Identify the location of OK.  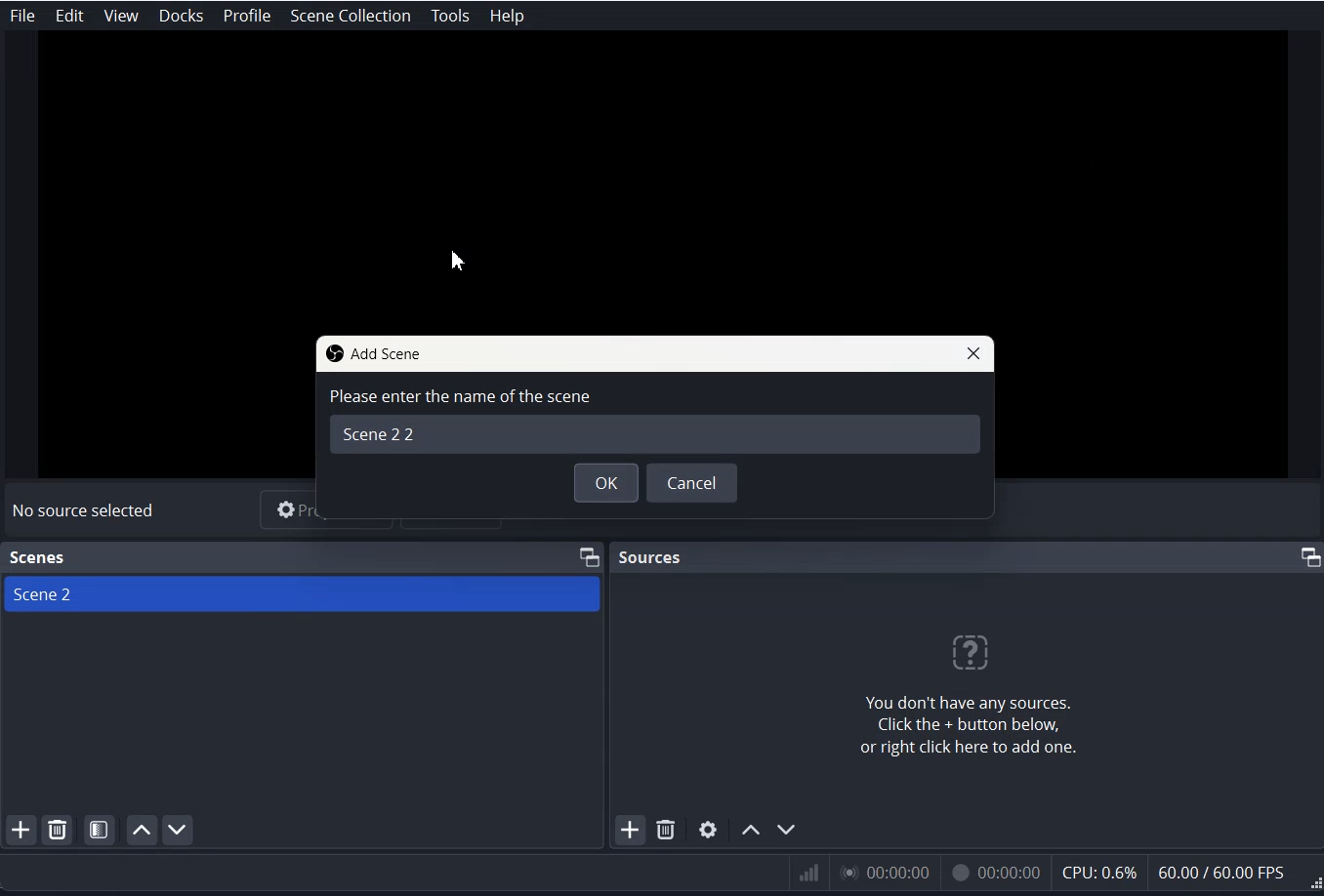
(604, 482).